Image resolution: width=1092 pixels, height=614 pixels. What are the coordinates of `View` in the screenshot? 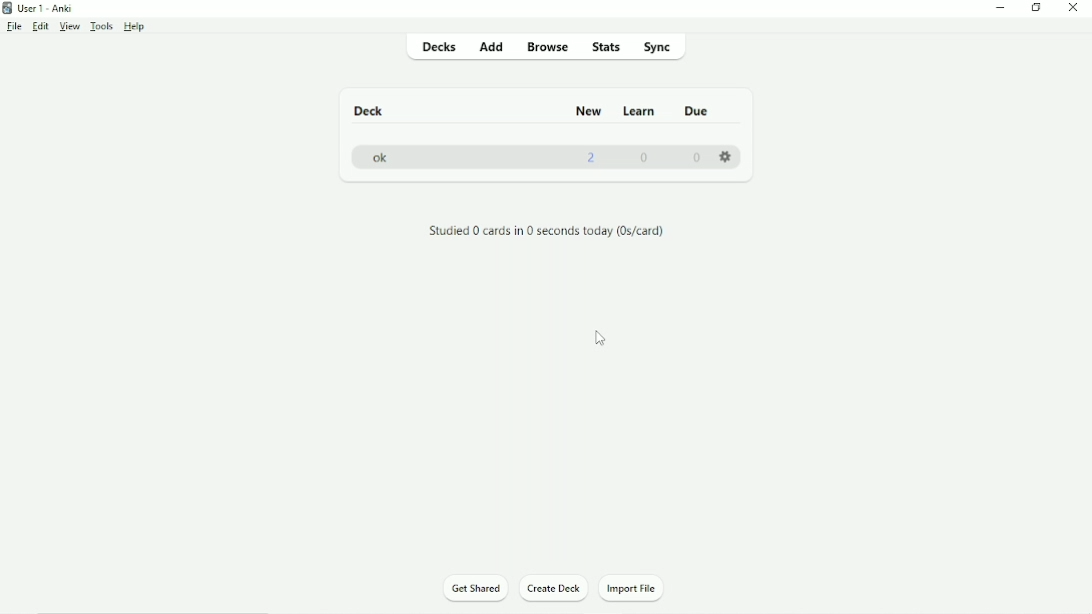 It's located at (69, 26).